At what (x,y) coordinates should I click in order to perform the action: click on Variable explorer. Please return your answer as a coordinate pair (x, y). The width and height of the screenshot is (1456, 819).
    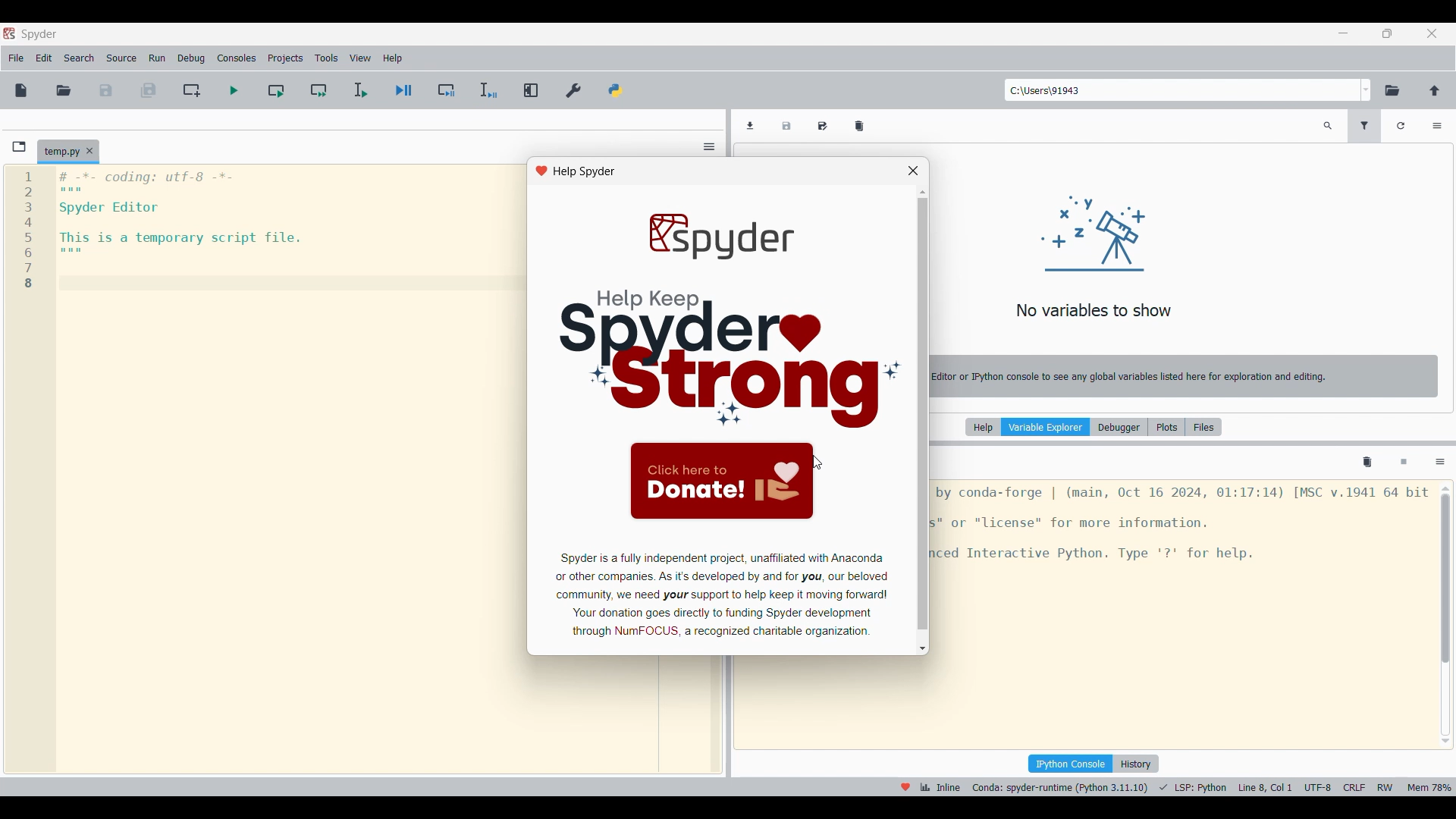
    Looking at the image, I should click on (1046, 427).